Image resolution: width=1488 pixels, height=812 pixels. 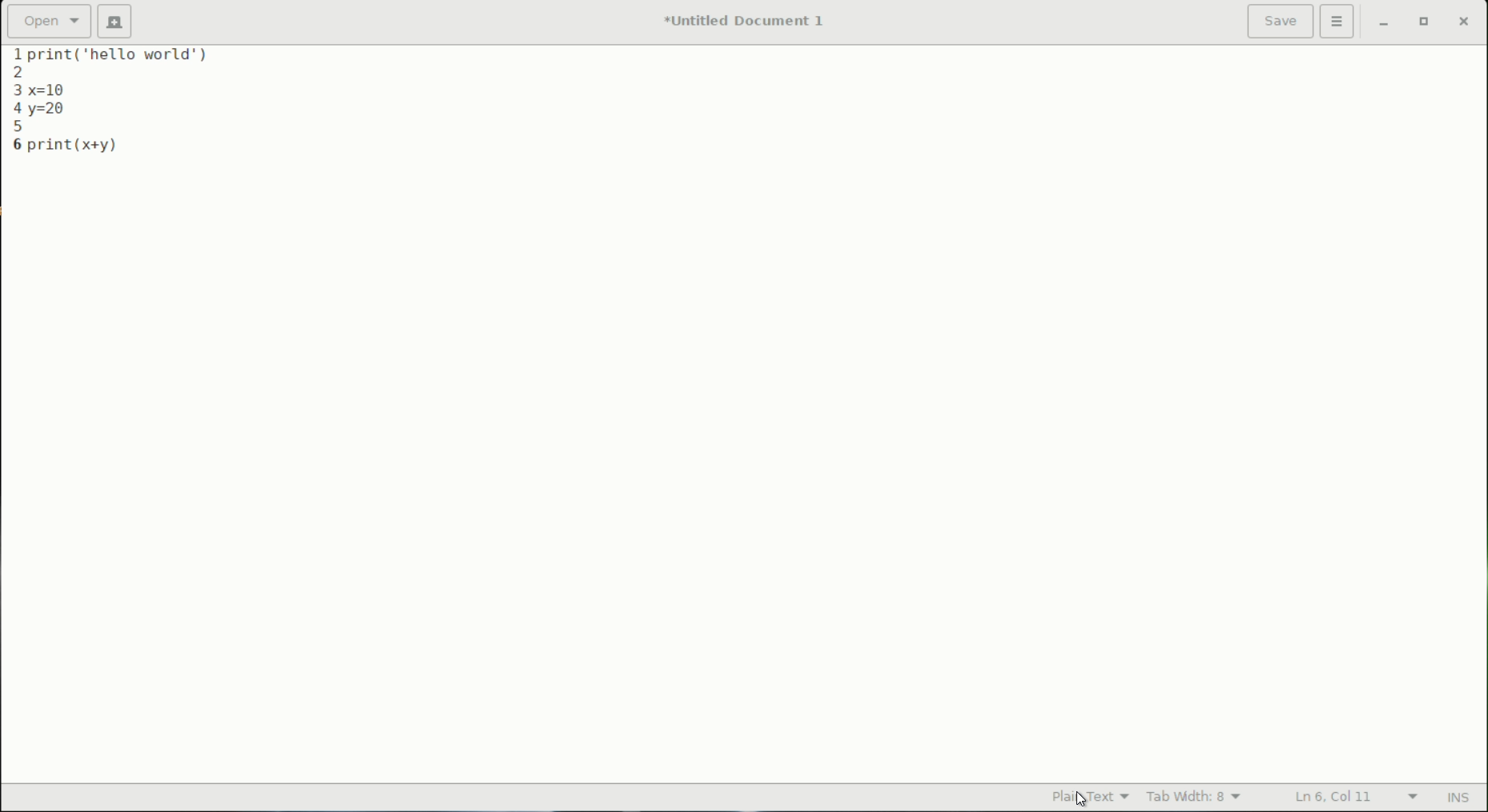 What do you see at coordinates (1426, 24) in the screenshot?
I see `full screen` at bounding box center [1426, 24].